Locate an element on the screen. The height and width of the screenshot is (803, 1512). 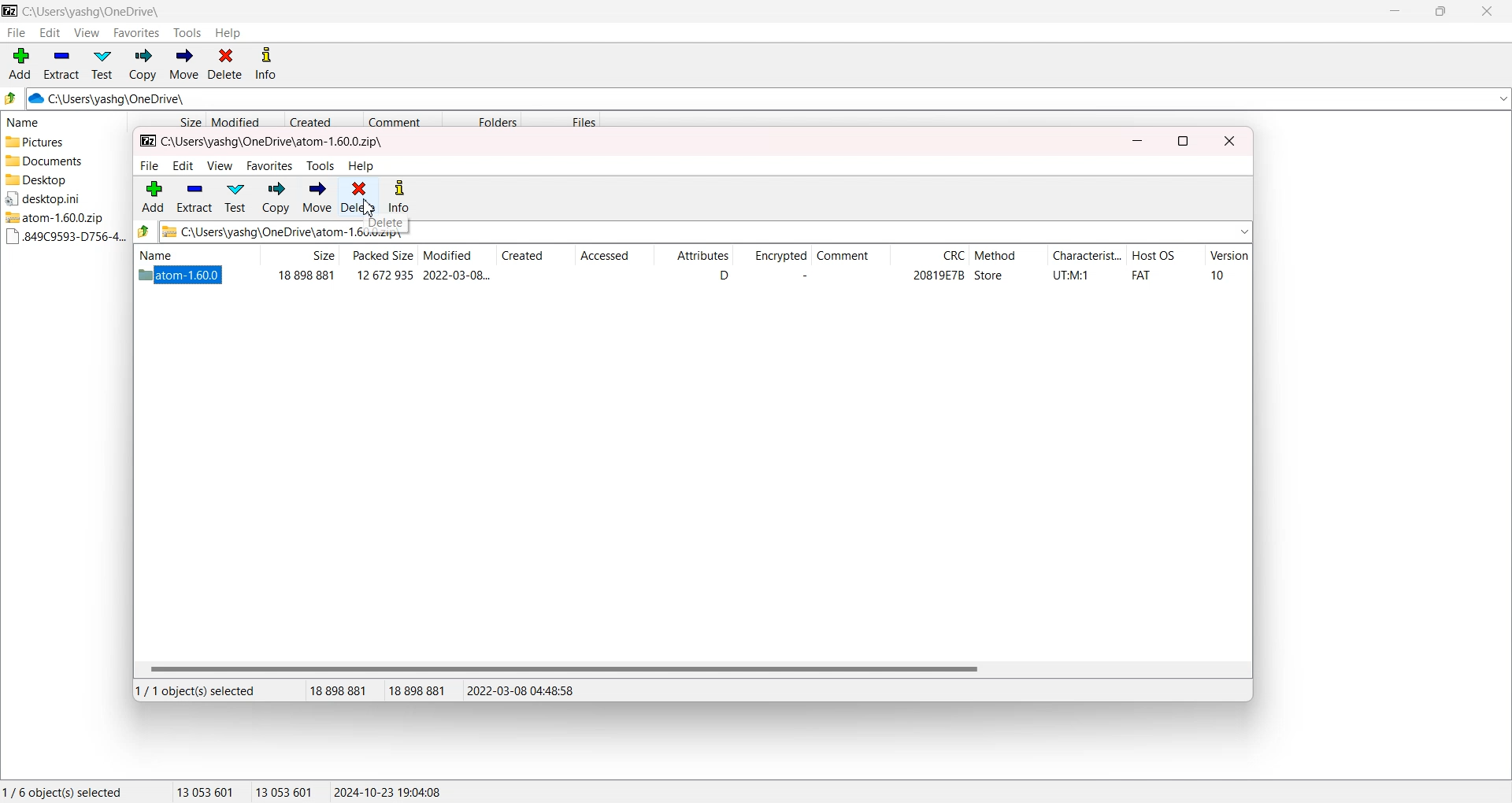
edit is located at coordinates (183, 166).